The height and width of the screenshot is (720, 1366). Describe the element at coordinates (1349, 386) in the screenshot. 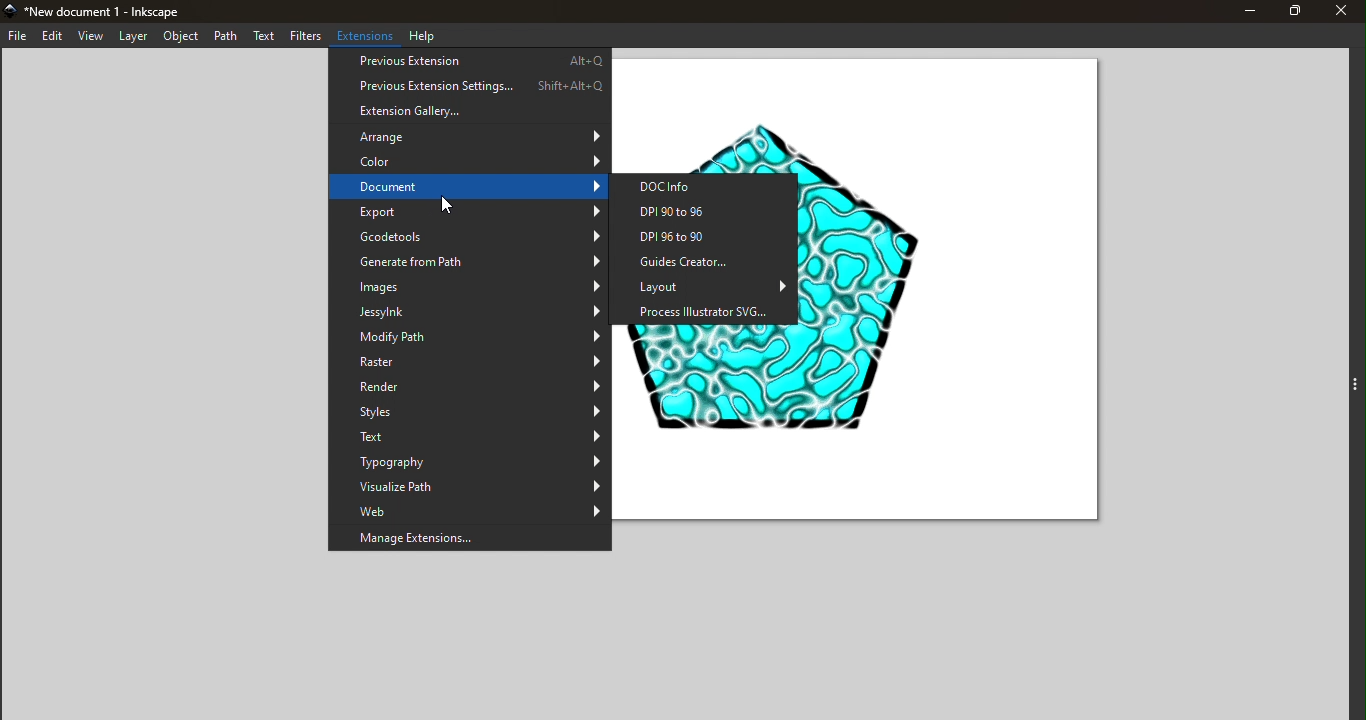

I see `Toggle command panel` at that location.